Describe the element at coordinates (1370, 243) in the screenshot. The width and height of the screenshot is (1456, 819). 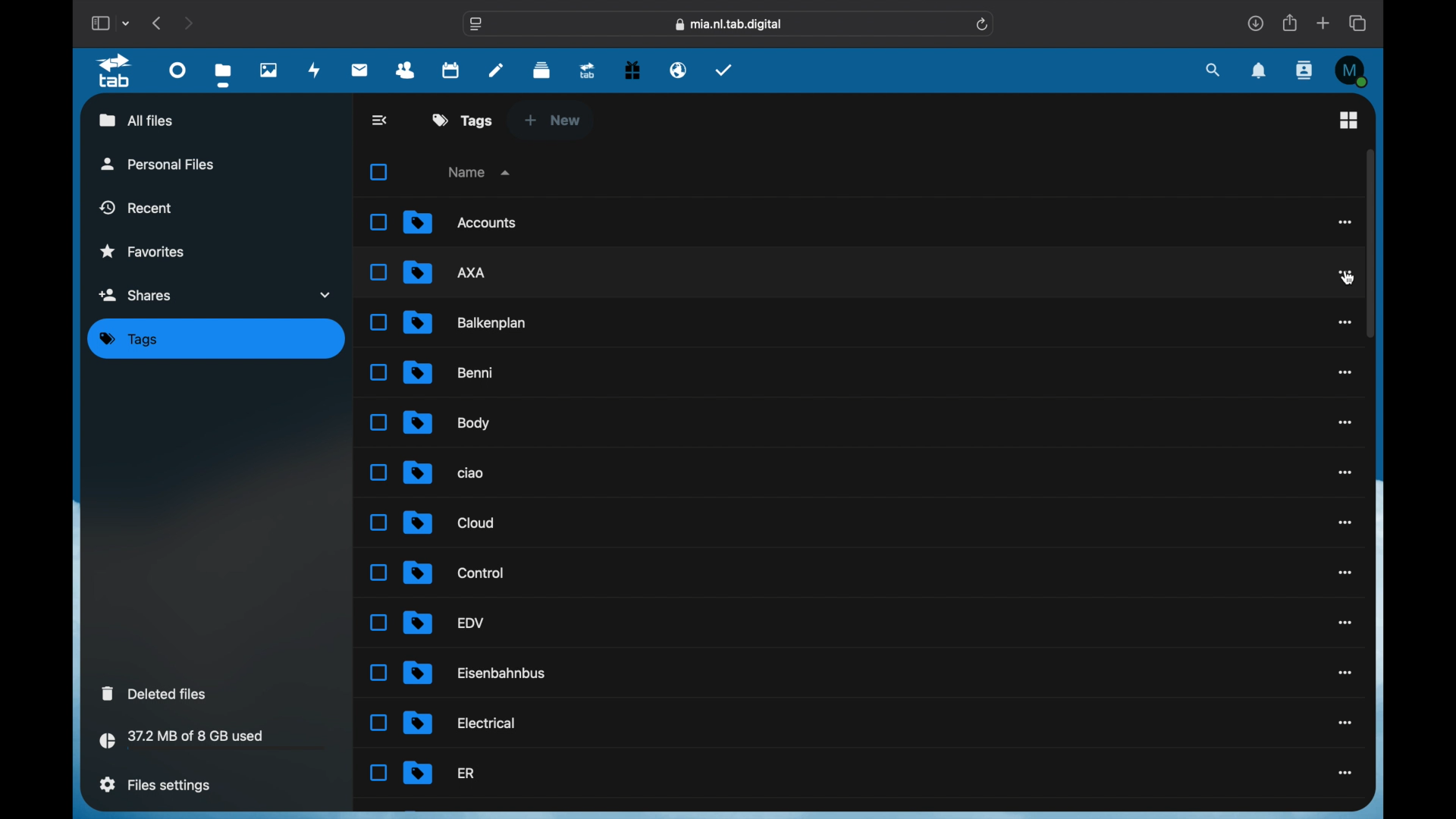
I see `scroll box` at that location.